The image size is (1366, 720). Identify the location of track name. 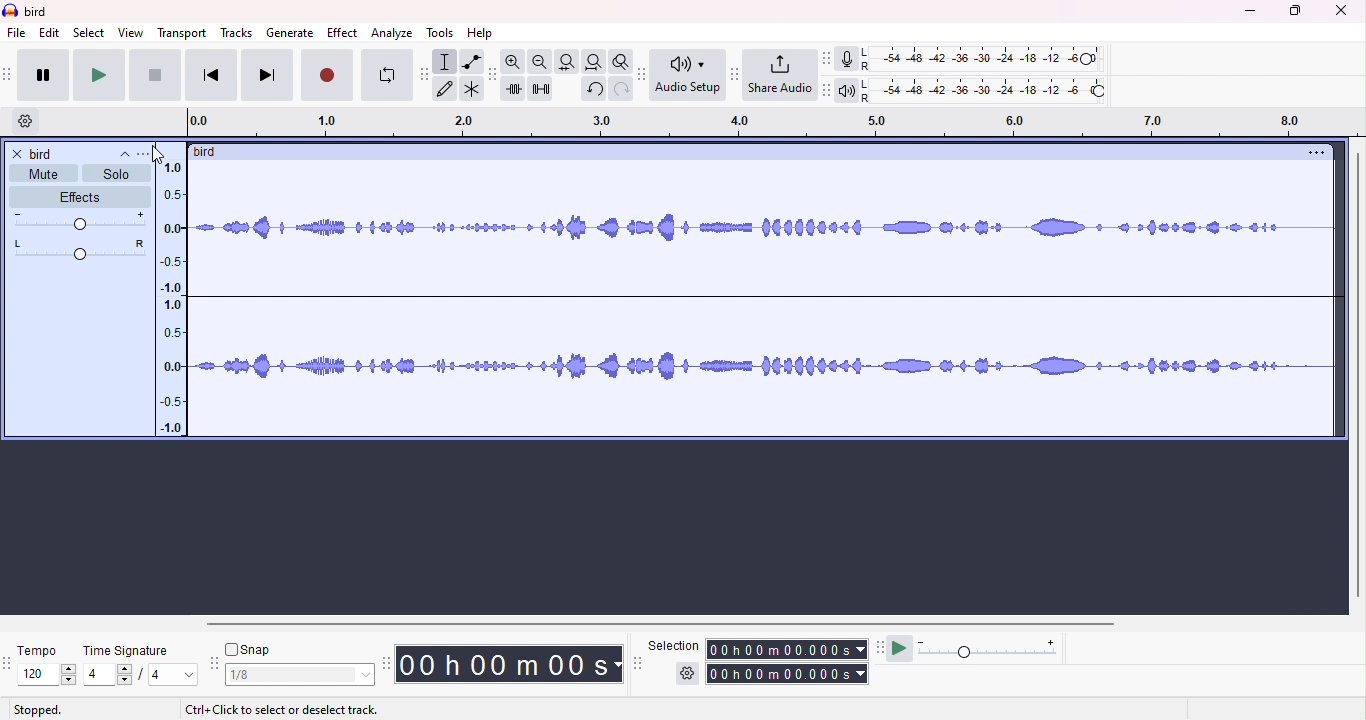
(210, 153).